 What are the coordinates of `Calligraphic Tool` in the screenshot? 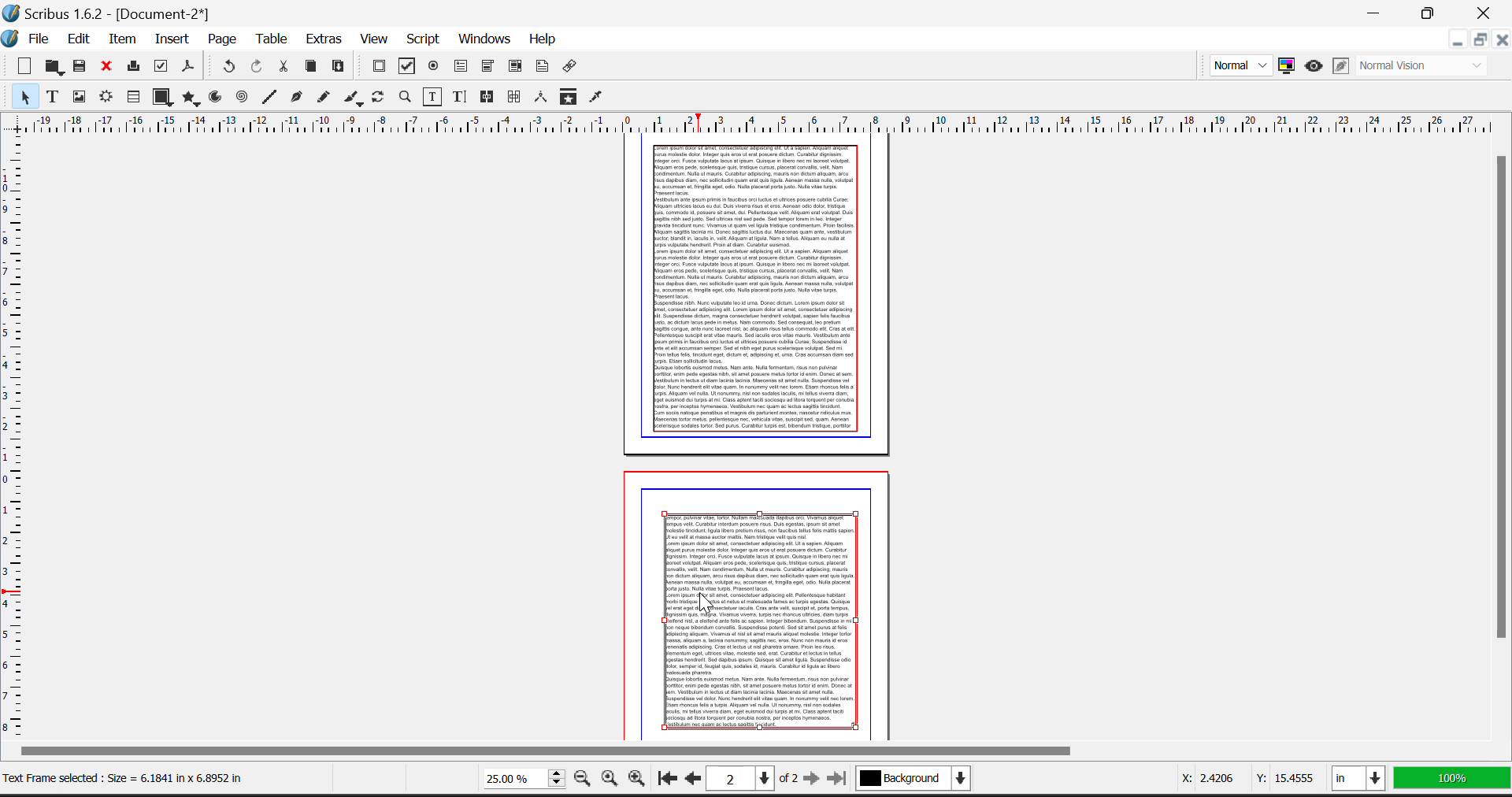 It's located at (353, 98).